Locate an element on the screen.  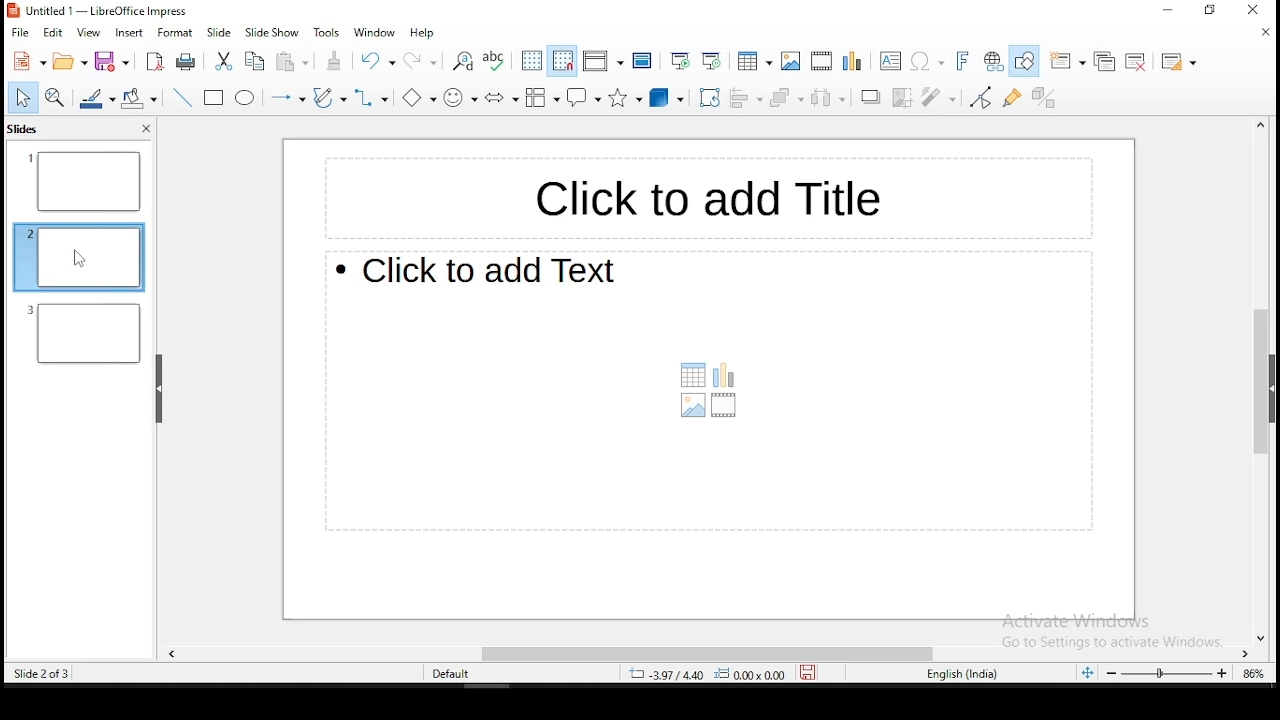
insert hyperlink is located at coordinates (991, 60).